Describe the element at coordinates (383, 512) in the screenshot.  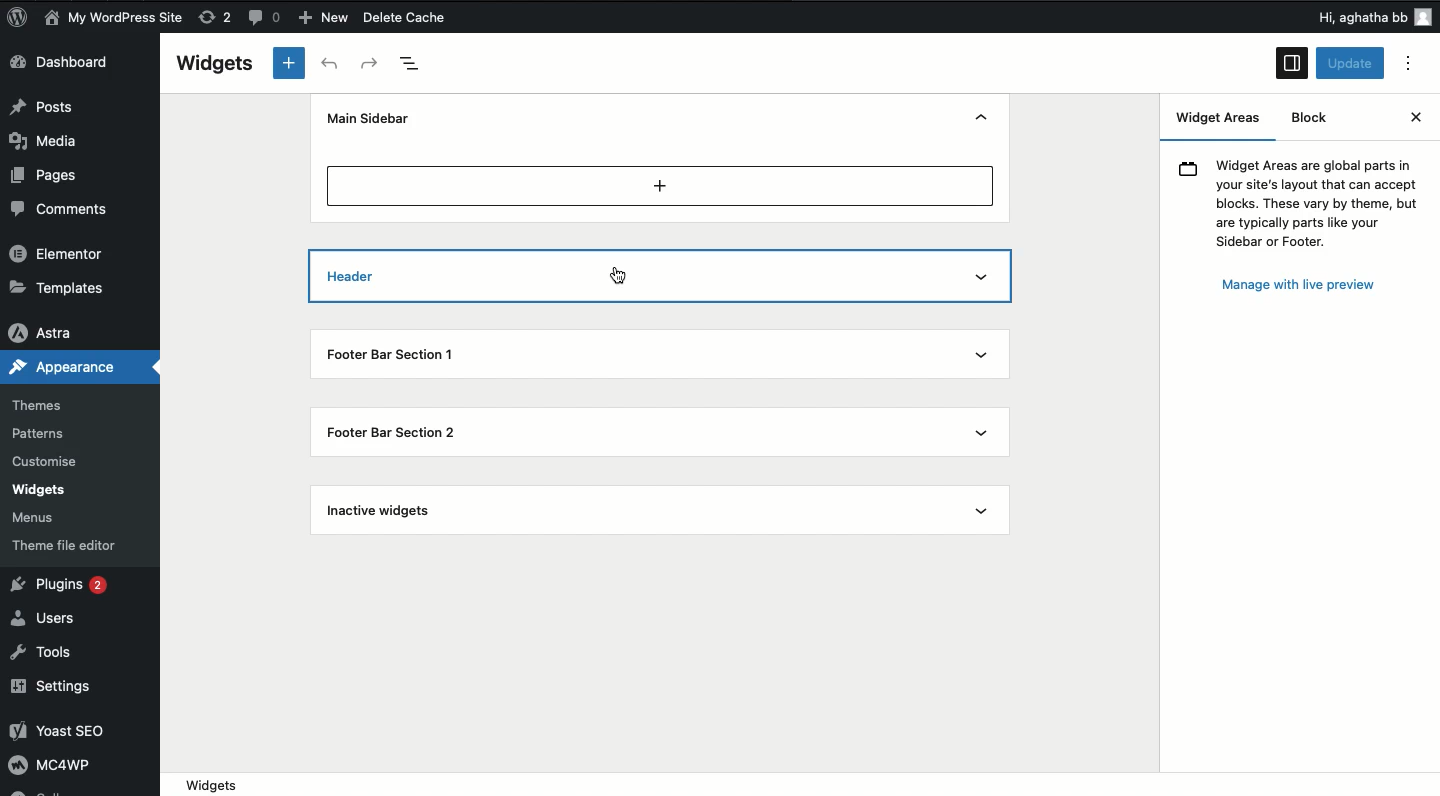
I see `Inactive widgets` at that location.